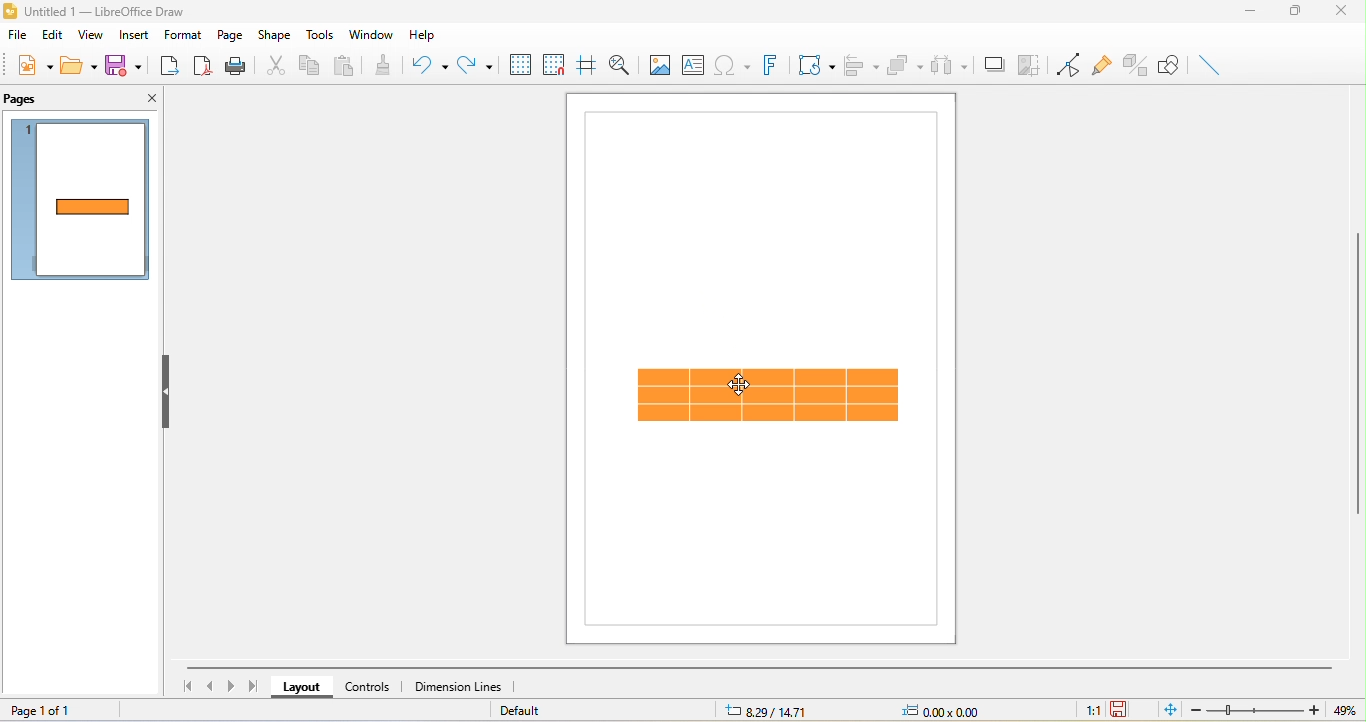 The width and height of the screenshot is (1366, 722). I want to click on layout, so click(305, 688).